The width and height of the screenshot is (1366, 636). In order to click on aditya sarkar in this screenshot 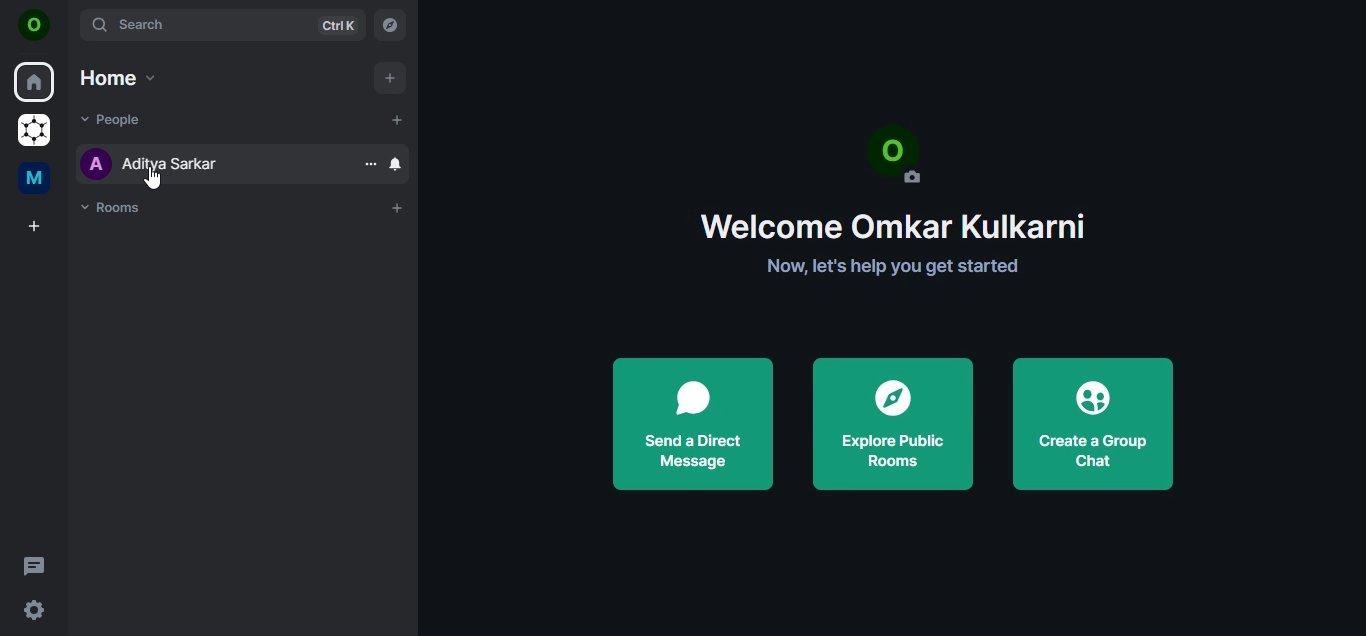, I will do `click(156, 165)`.